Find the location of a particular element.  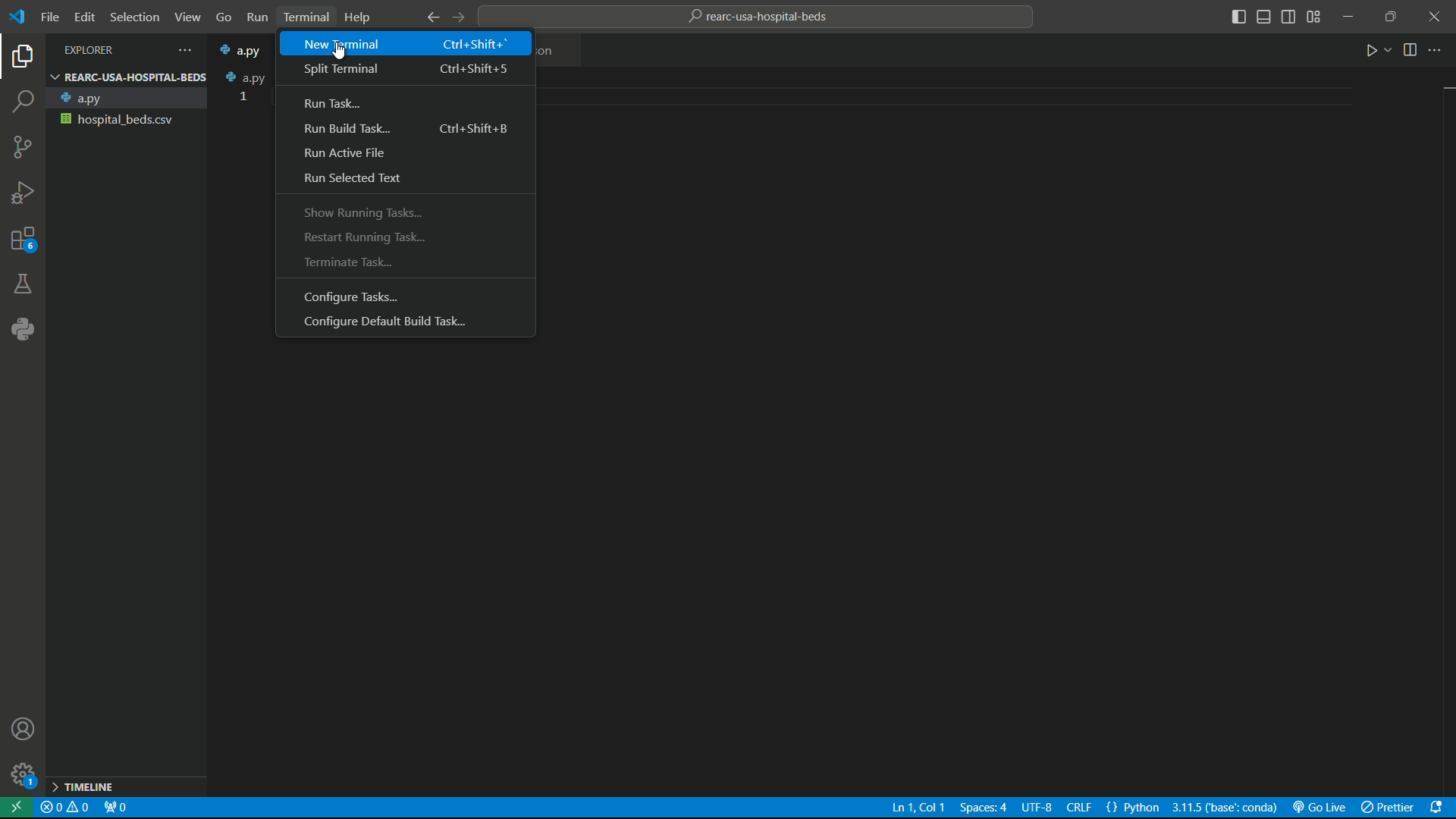

run selected text is located at coordinates (402, 178).